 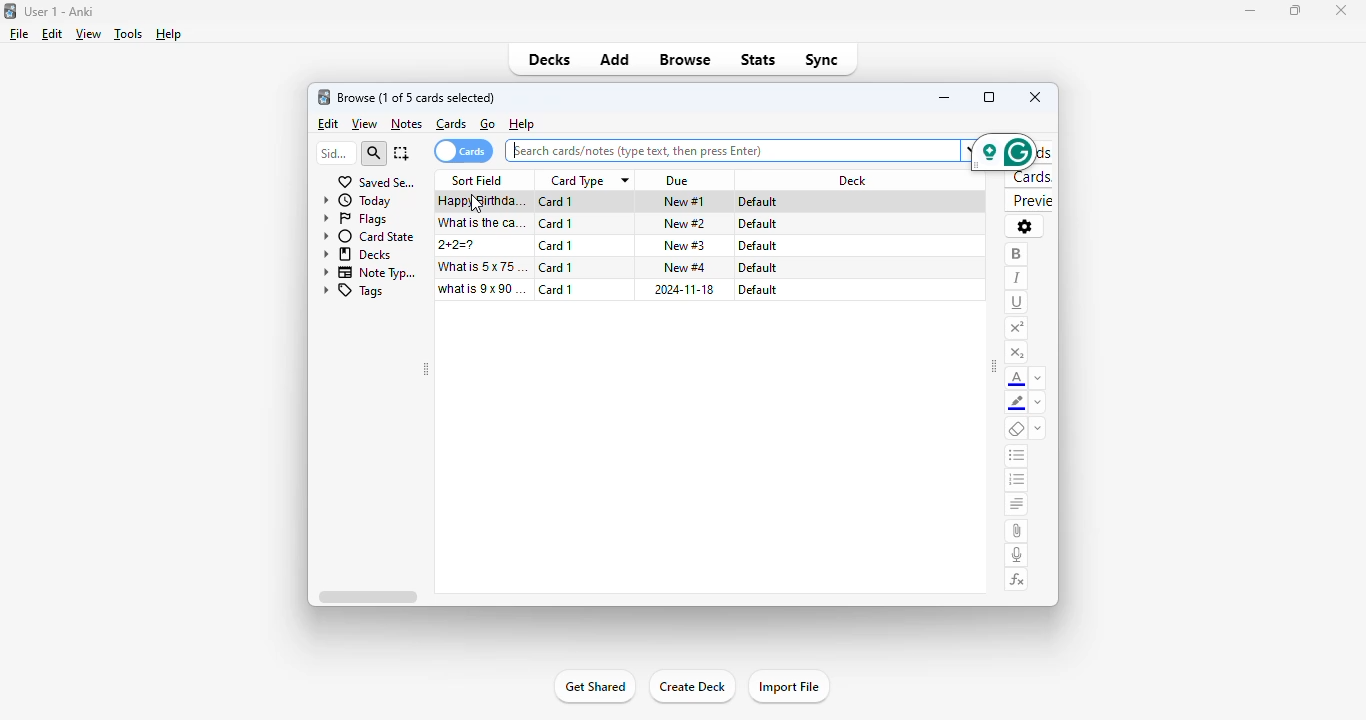 What do you see at coordinates (365, 124) in the screenshot?
I see `view` at bounding box center [365, 124].